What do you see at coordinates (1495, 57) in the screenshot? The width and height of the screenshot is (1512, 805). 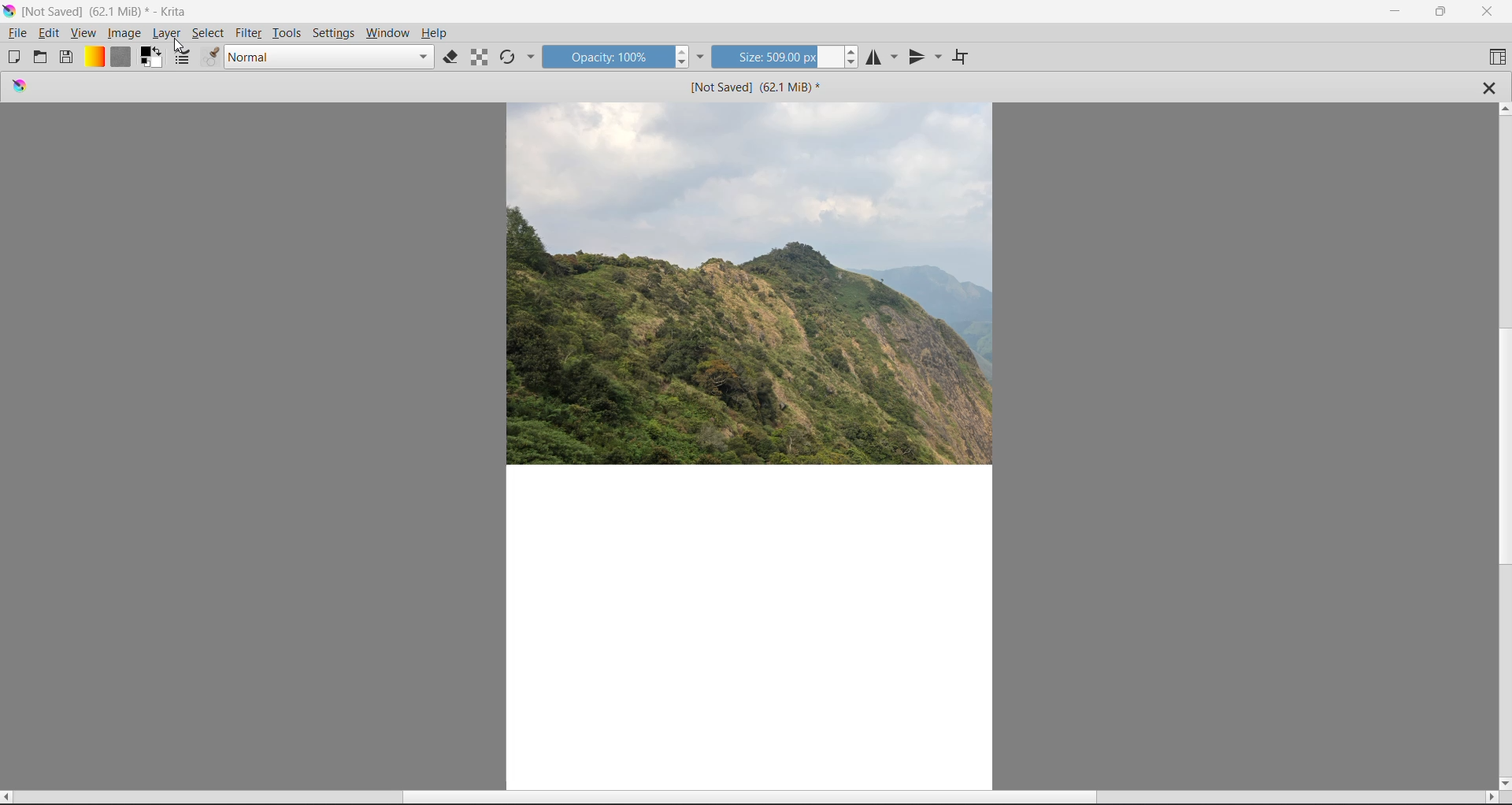 I see `Choose Workspace` at bounding box center [1495, 57].